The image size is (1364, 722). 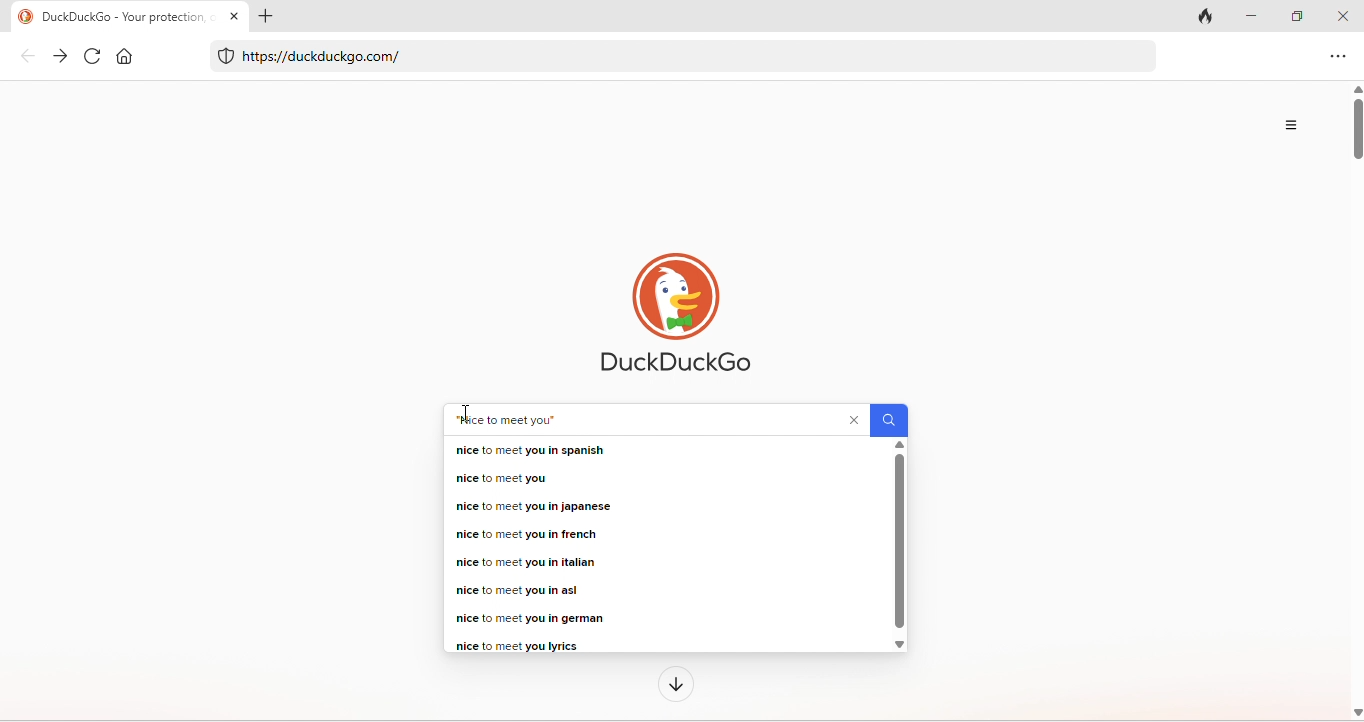 What do you see at coordinates (889, 419) in the screenshot?
I see `search` at bounding box center [889, 419].